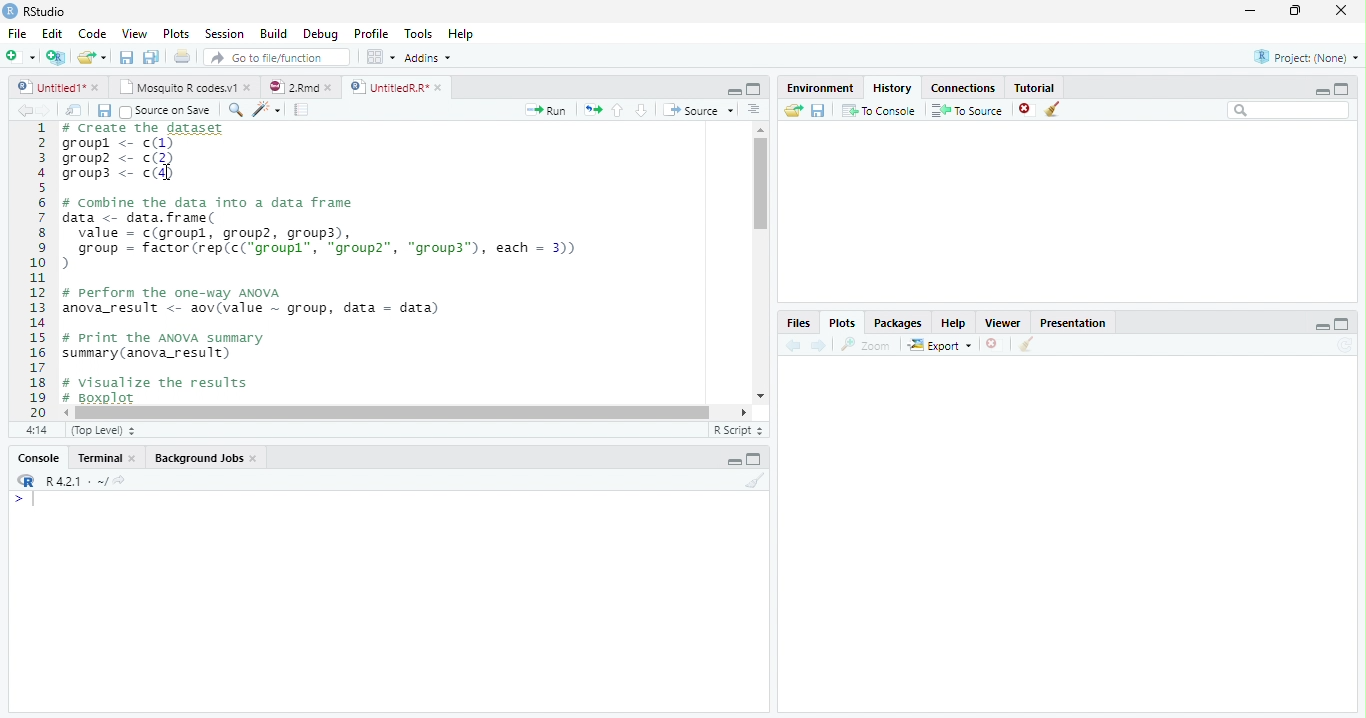 The width and height of the screenshot is (1366, 718). Describe the element at coordinates (92, 57) in the screenshot. I see `Open an existing file` at that location.